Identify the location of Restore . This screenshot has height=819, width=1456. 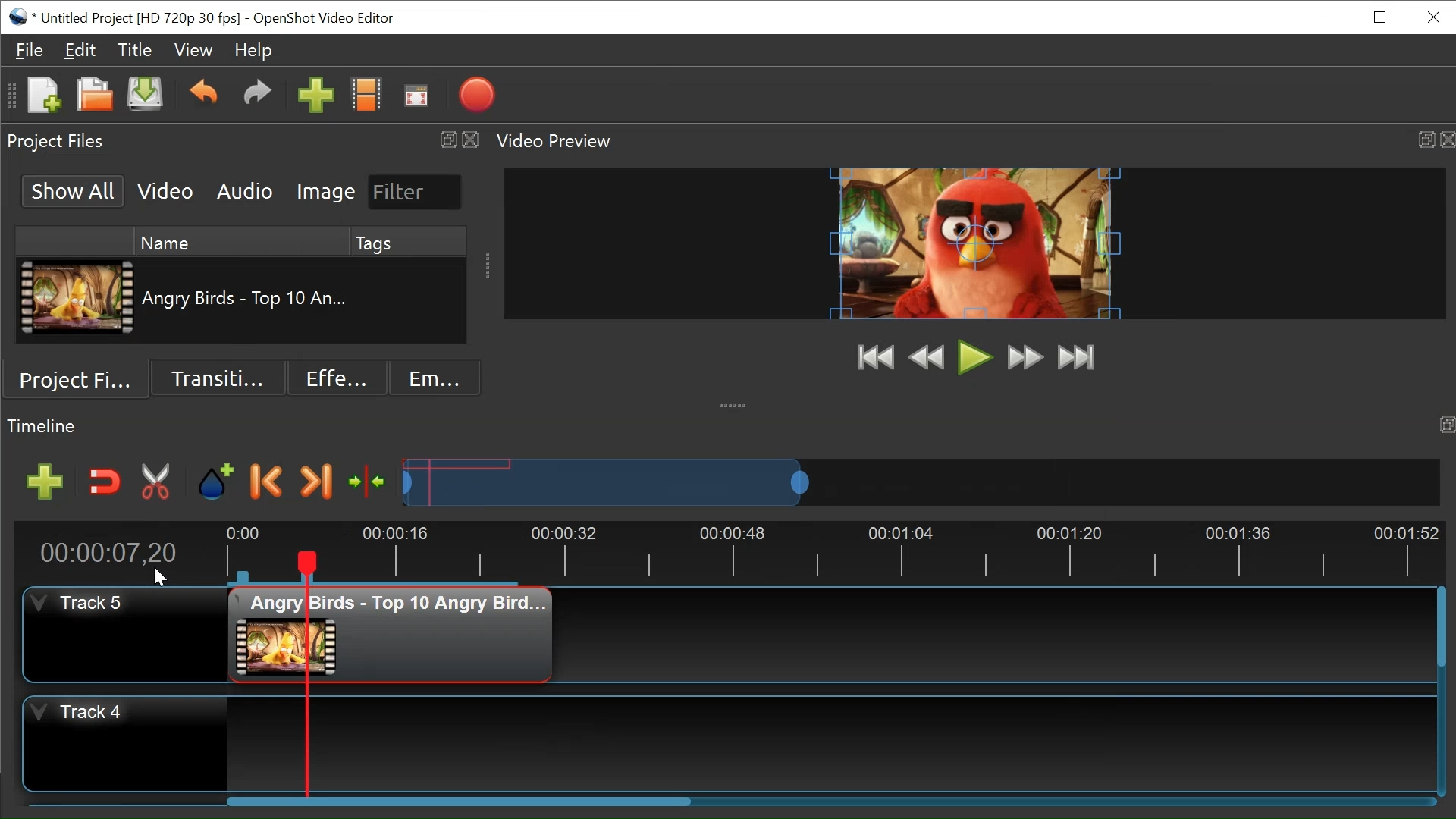
(1380, 18).